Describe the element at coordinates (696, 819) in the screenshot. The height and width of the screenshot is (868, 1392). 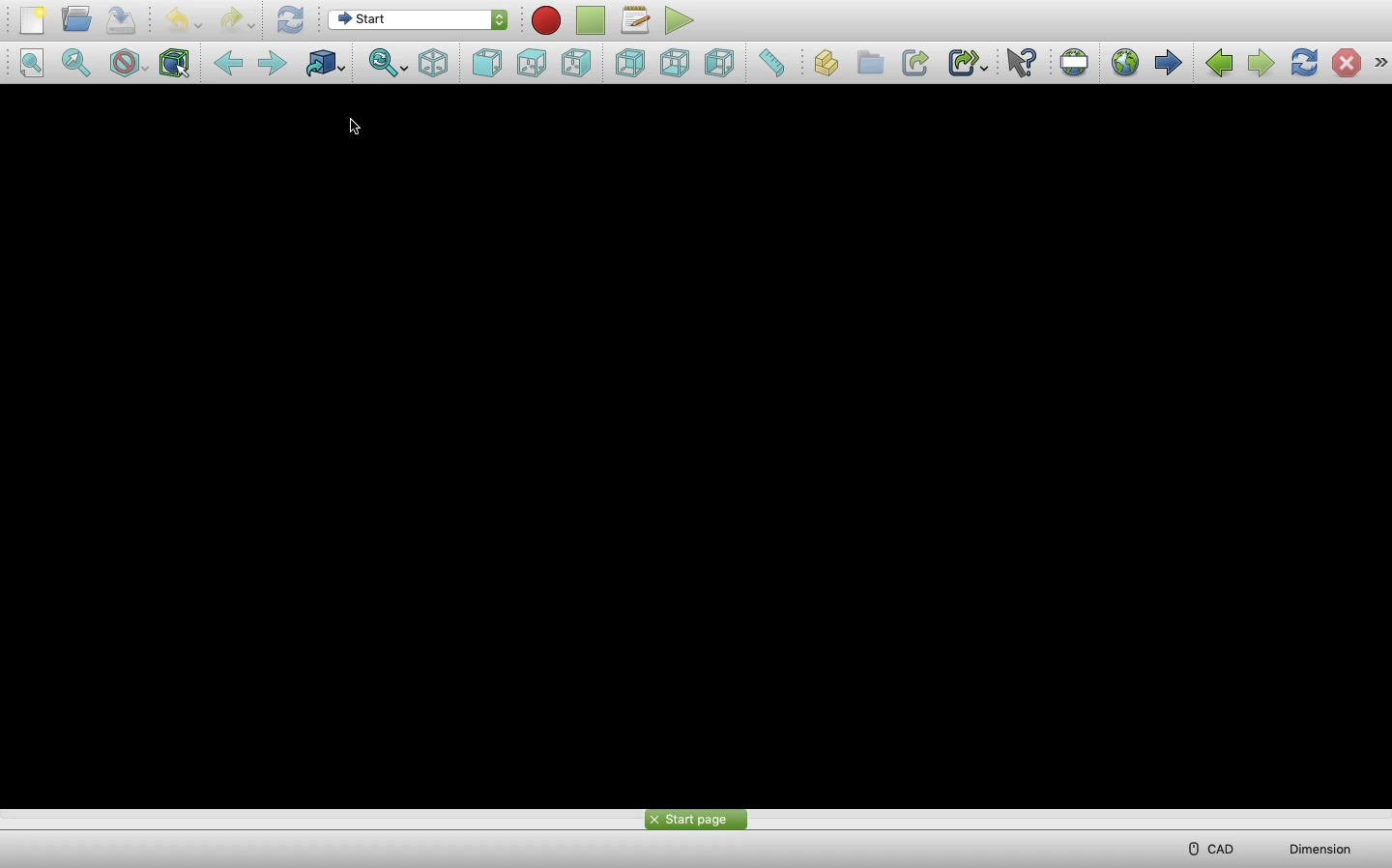
I see `Start Page` at that location.